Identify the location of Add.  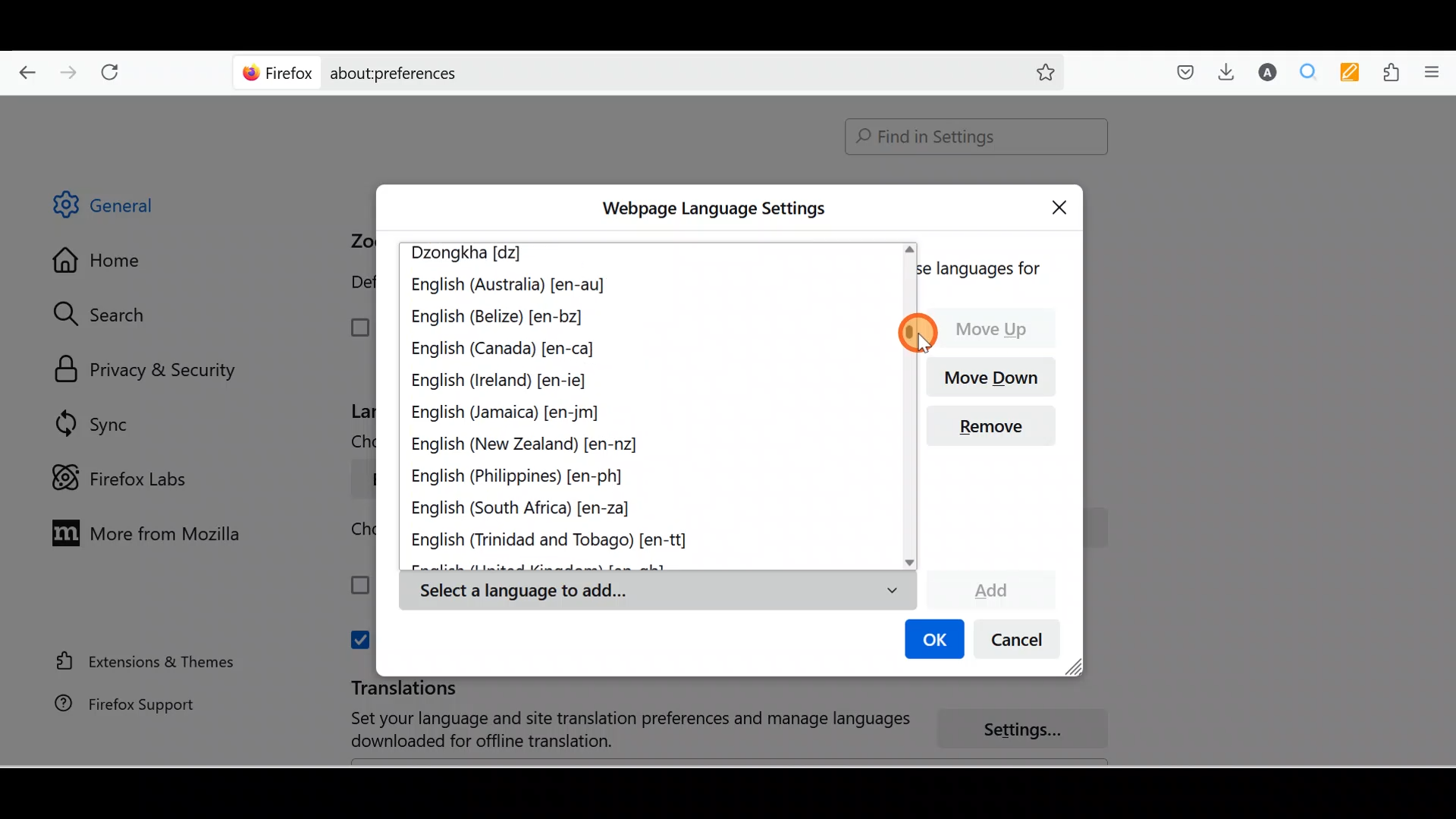
(990, 588).